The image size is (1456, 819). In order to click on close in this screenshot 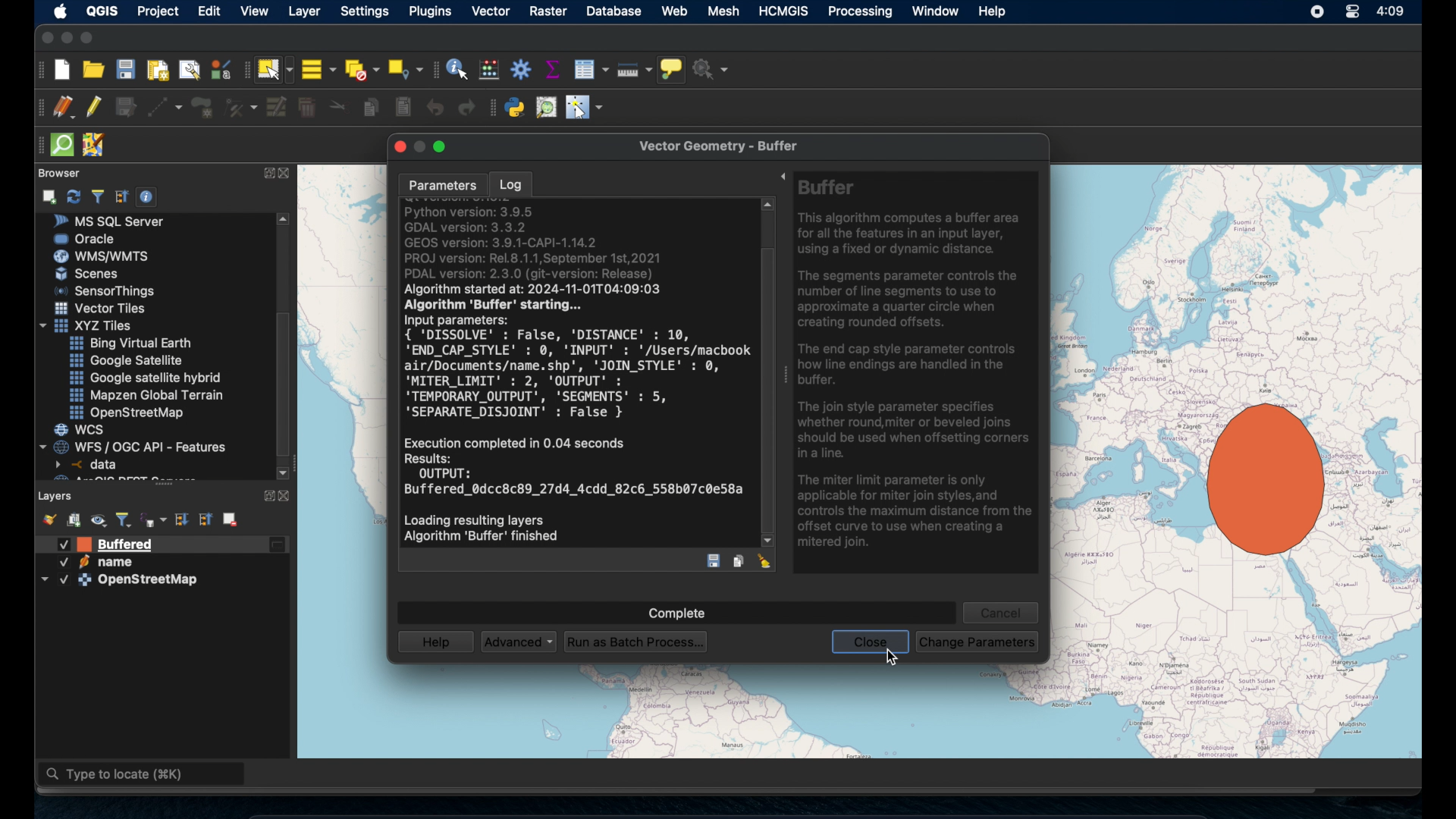, I will do `click(287, 174)`.